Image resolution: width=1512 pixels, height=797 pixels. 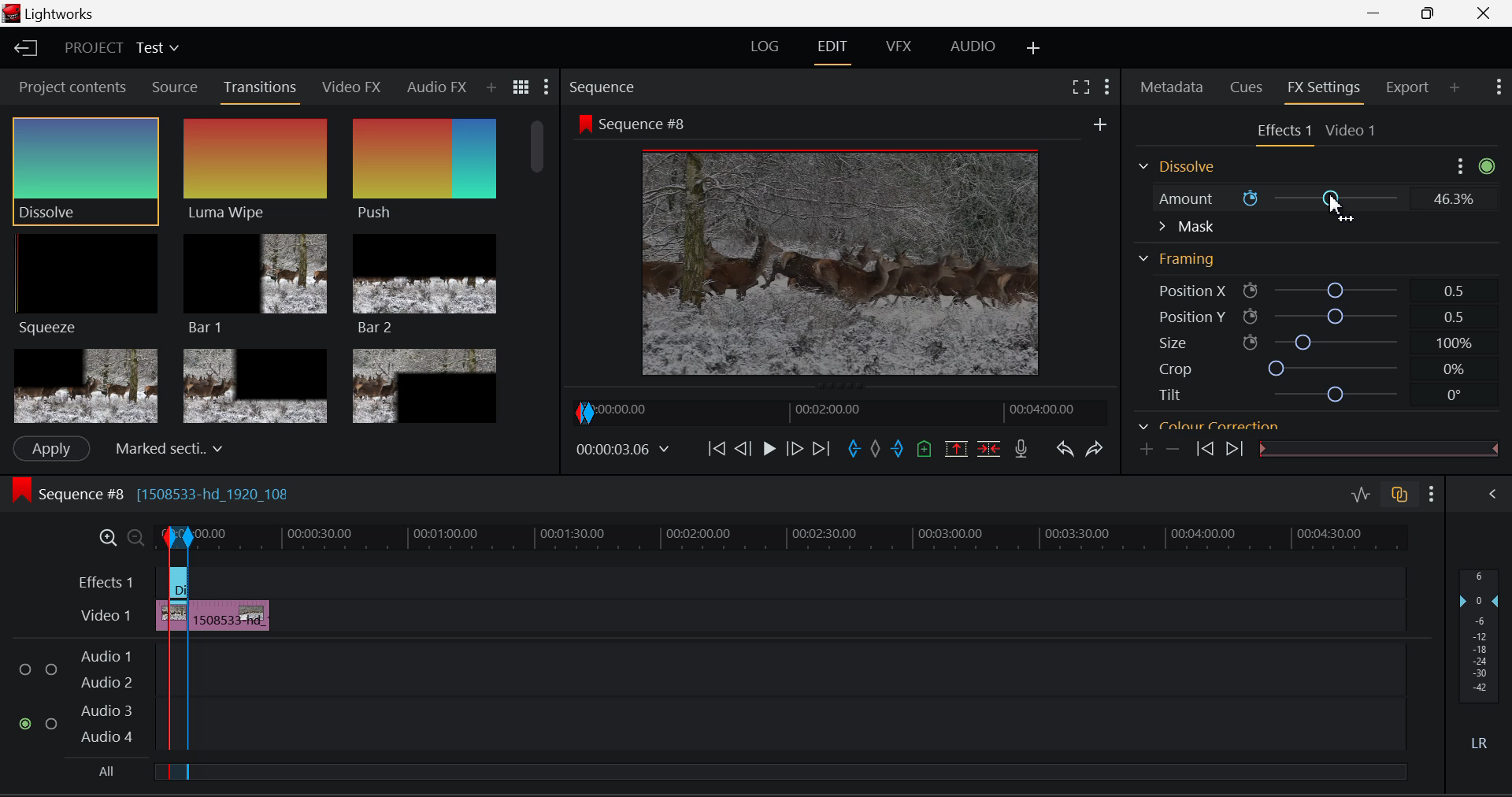 What do you see at coordinates (1431, 14) in the screenshot?
I see `Minimize` at bounding box center [1431, 14].